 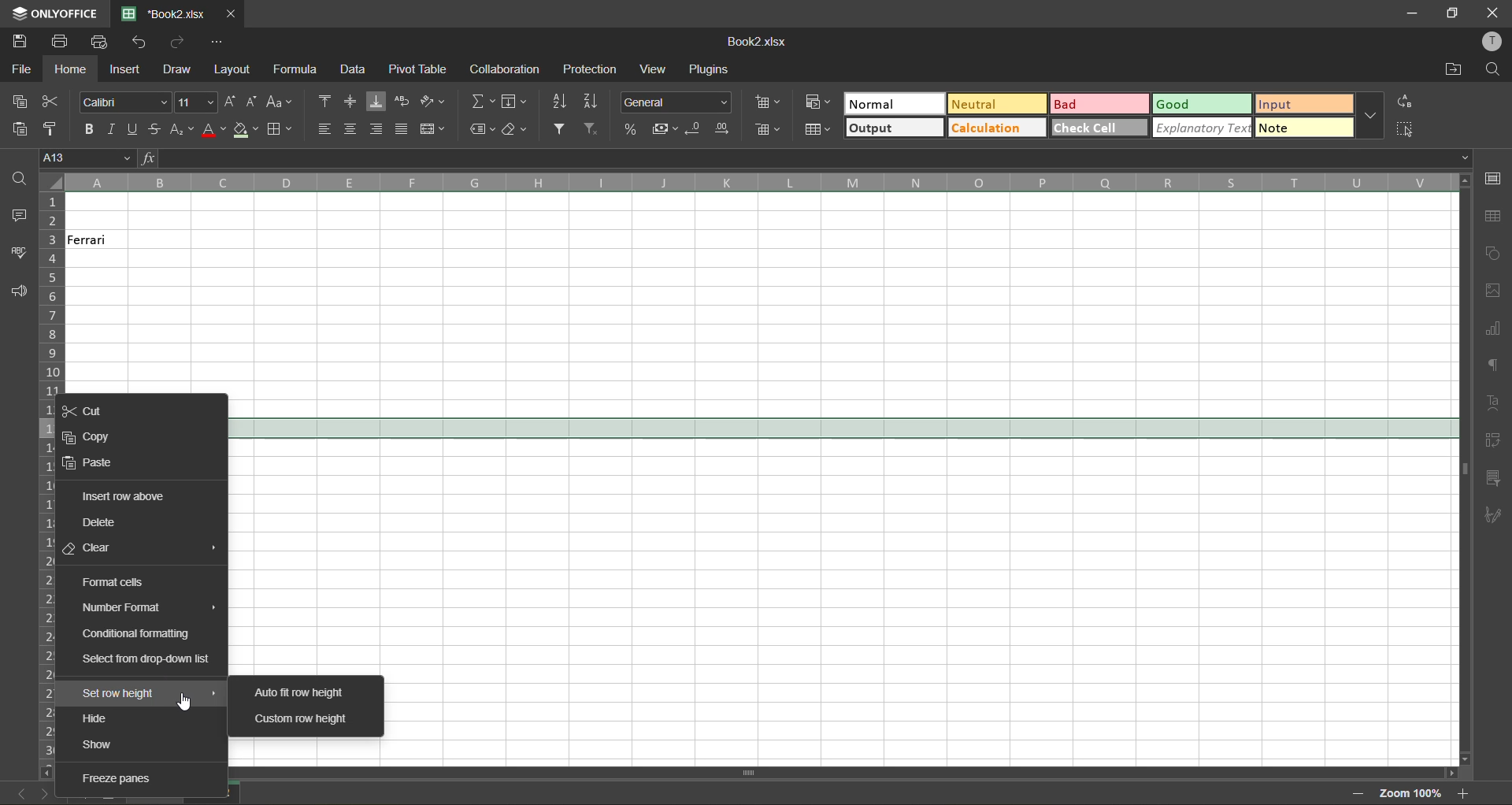 What do you see at coordinates (1496, 514) in the screenshot?
I see `signature` at bounding box center [1496, 514].